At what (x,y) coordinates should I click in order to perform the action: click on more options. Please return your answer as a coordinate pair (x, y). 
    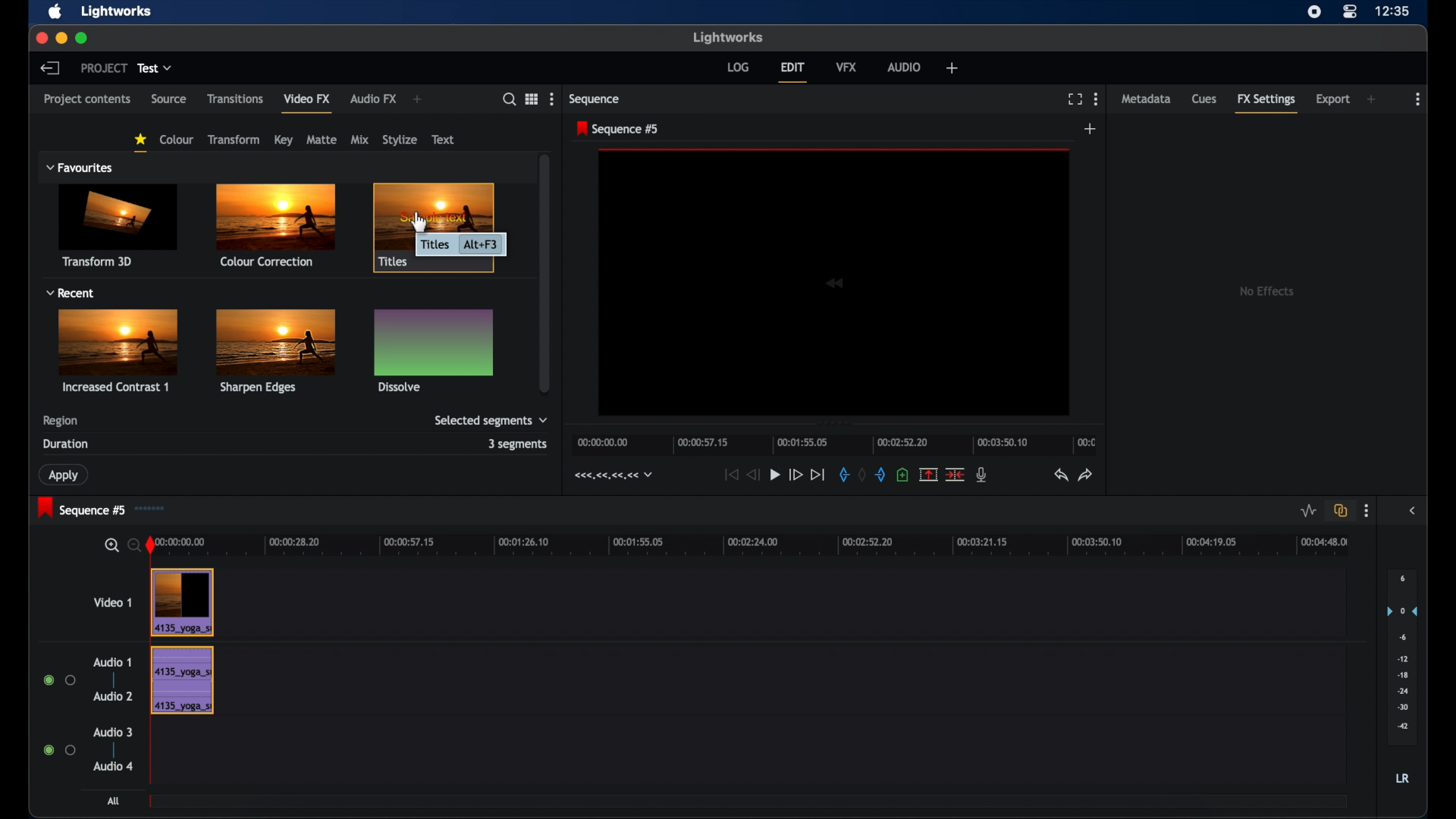
    Looking at the image, I should click on (551, 98).